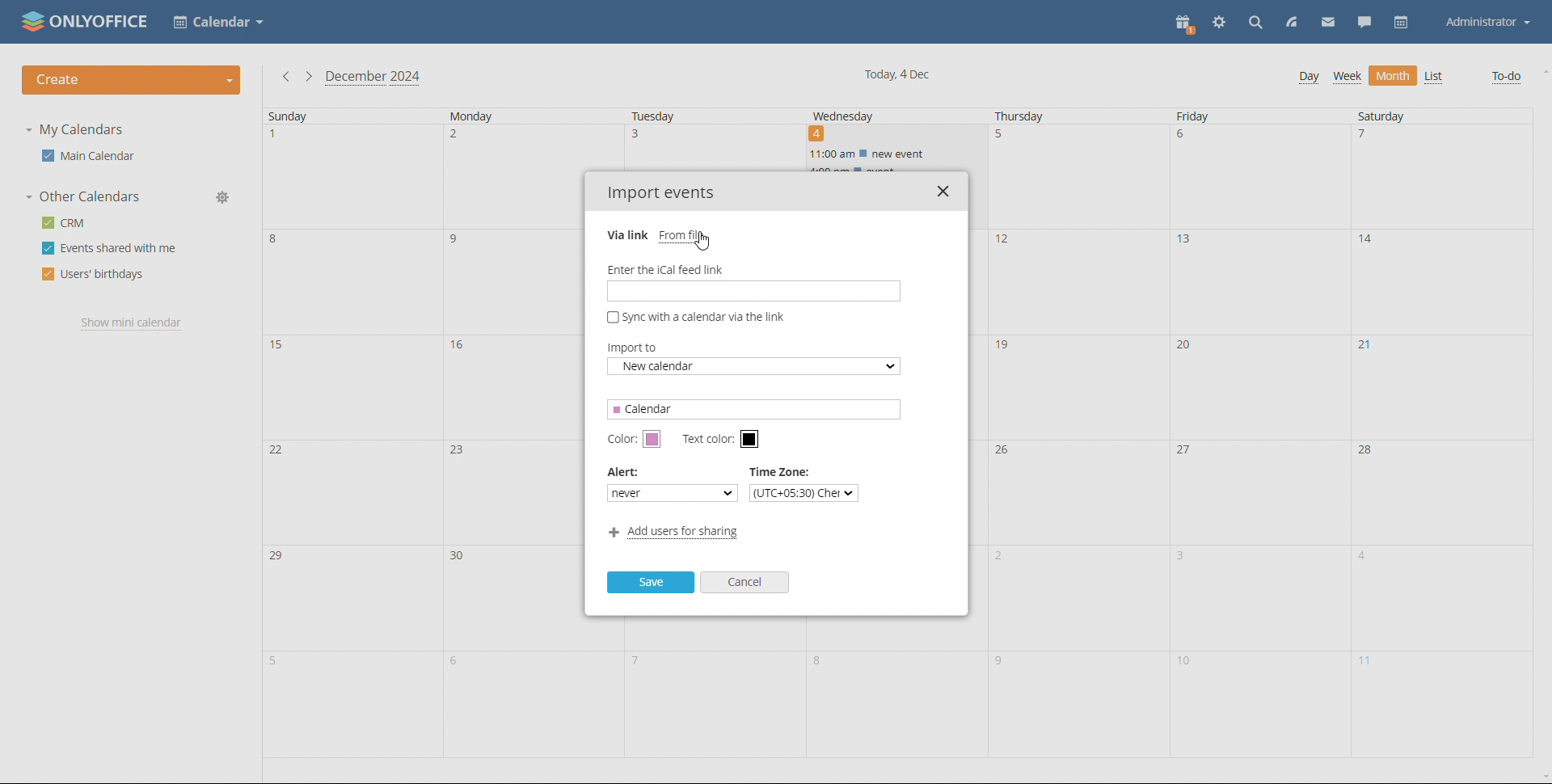 This screenshot has width=1552, height=784. I want to click on sync with a calendar via the link, so click(696, 317).